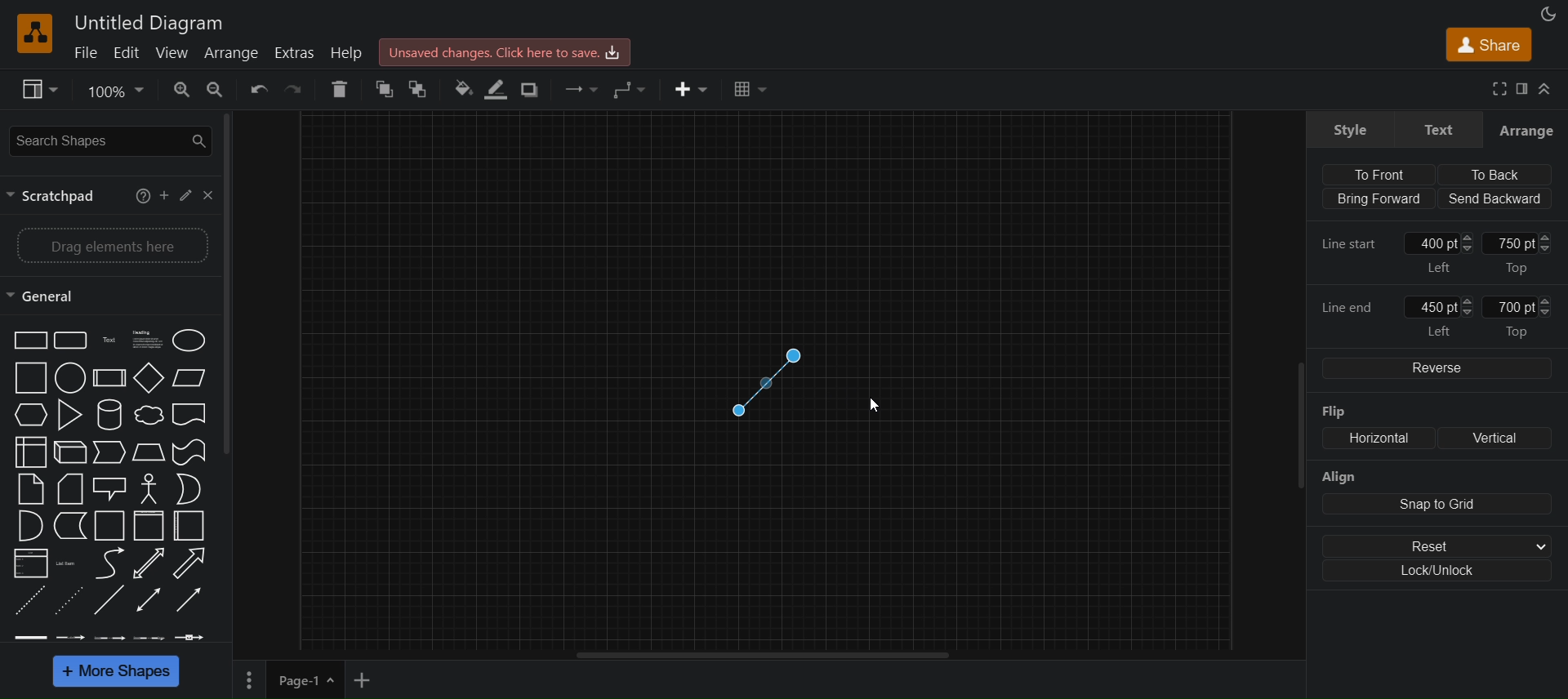 This screenshot has height=699, width=1568. Describe the element at coordinates (188, 452) in the screenshot. I see `Tape` at that location.